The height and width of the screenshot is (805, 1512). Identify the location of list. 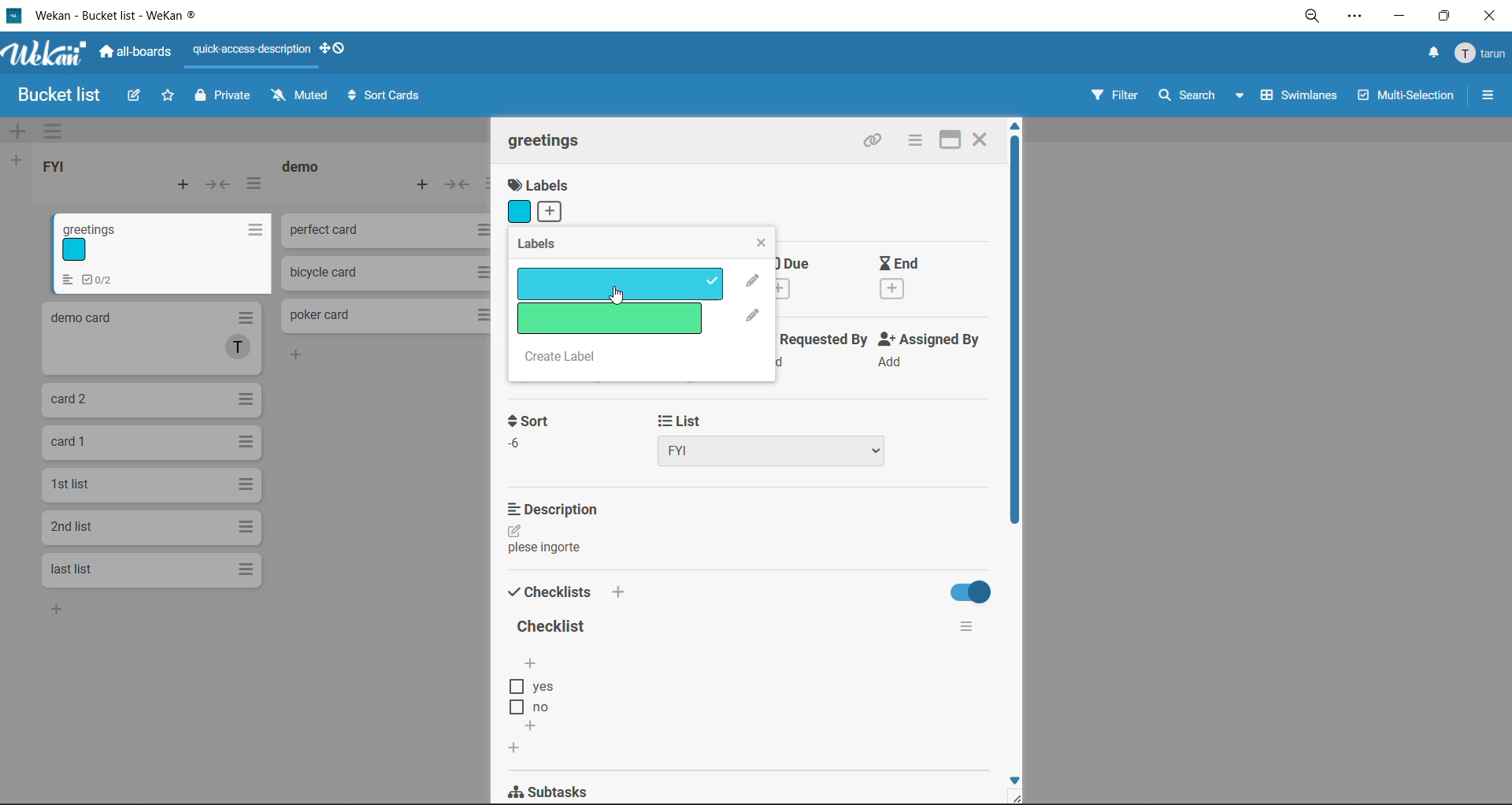
(775, 438).